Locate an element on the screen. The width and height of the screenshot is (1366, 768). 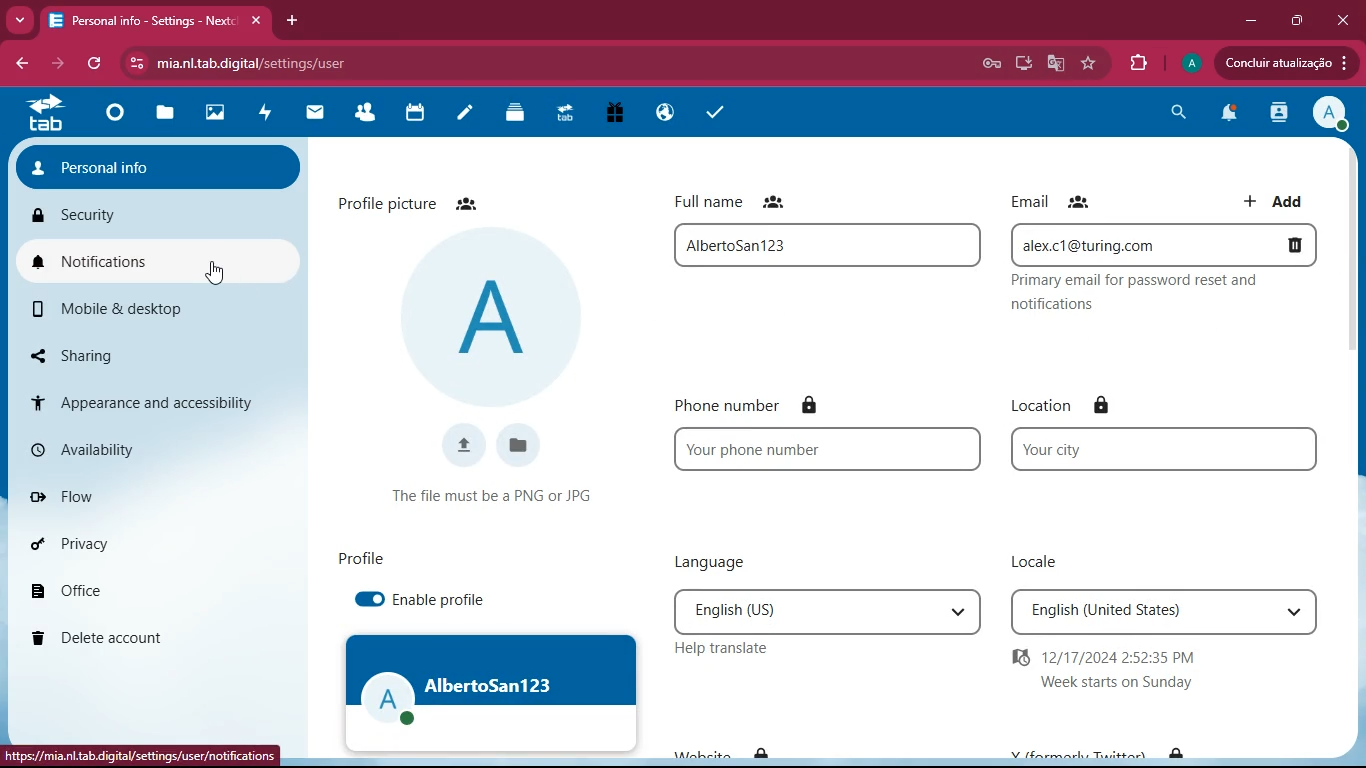
friends is located at coordinates (366, 112).